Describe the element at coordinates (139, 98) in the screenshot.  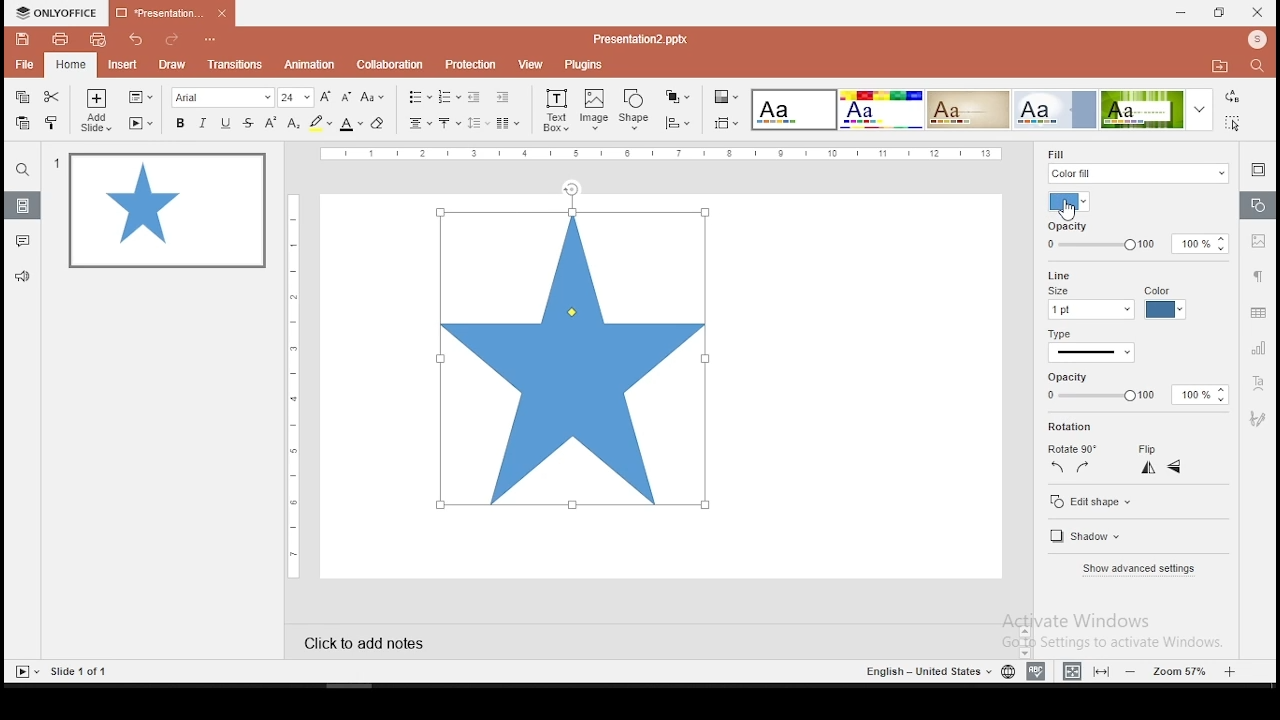
I see `change slide layout` at that location.